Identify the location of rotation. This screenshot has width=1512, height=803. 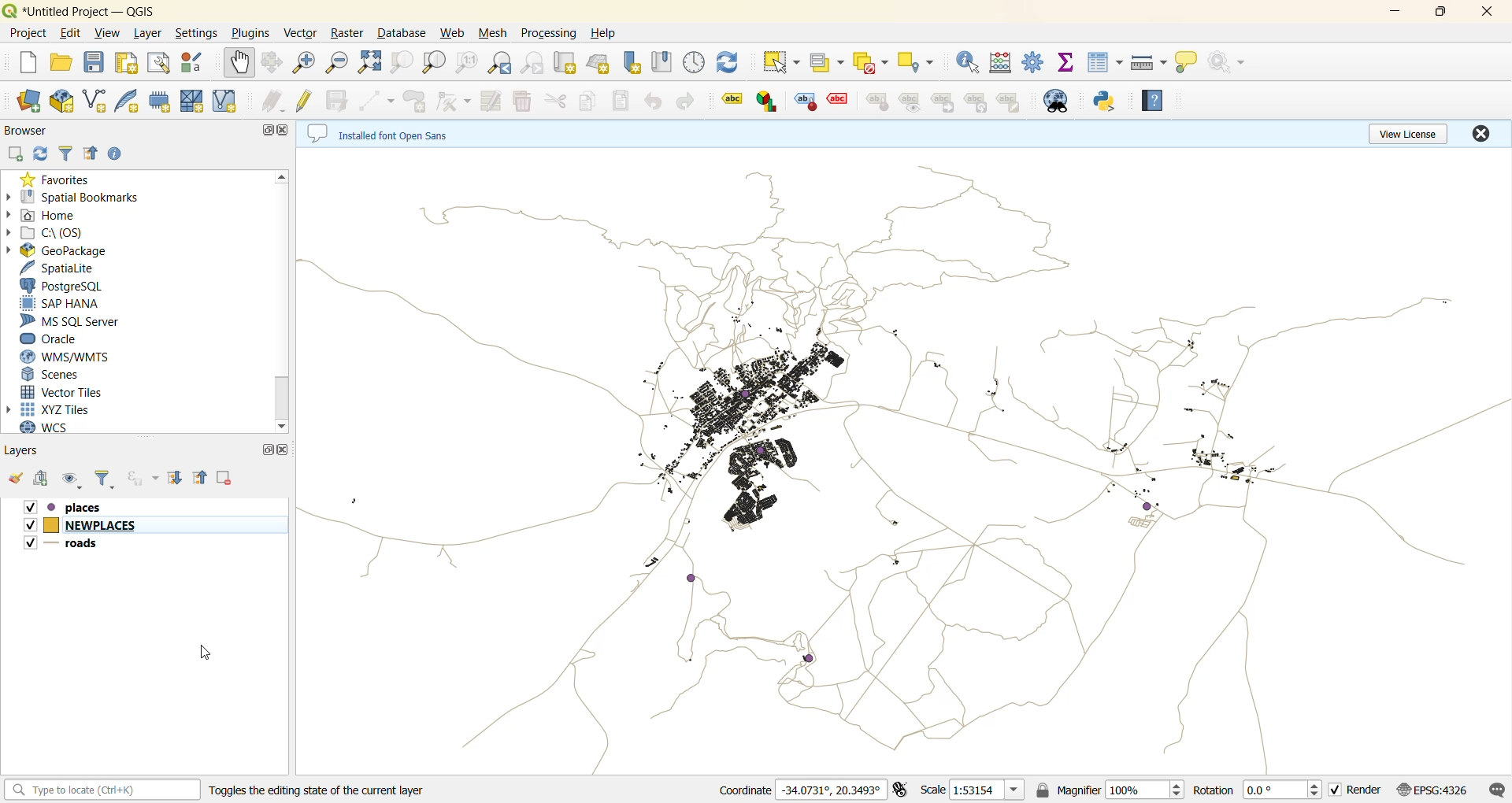
(1258, 791).